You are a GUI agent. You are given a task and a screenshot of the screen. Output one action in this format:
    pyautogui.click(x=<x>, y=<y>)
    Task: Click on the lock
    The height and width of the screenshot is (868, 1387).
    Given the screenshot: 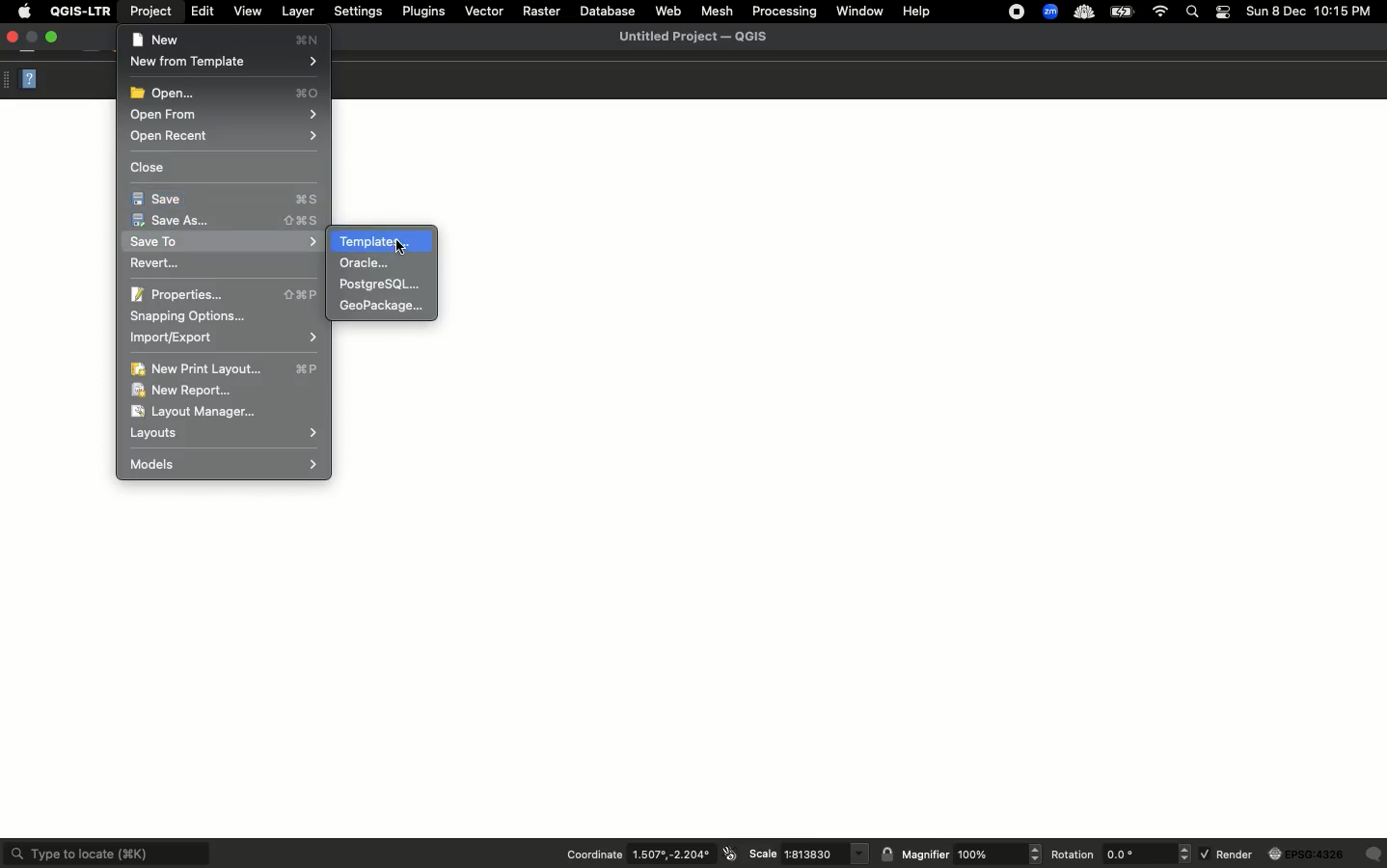 What is the action you would take?
    pyautogui.click(x=889, y=854)
    